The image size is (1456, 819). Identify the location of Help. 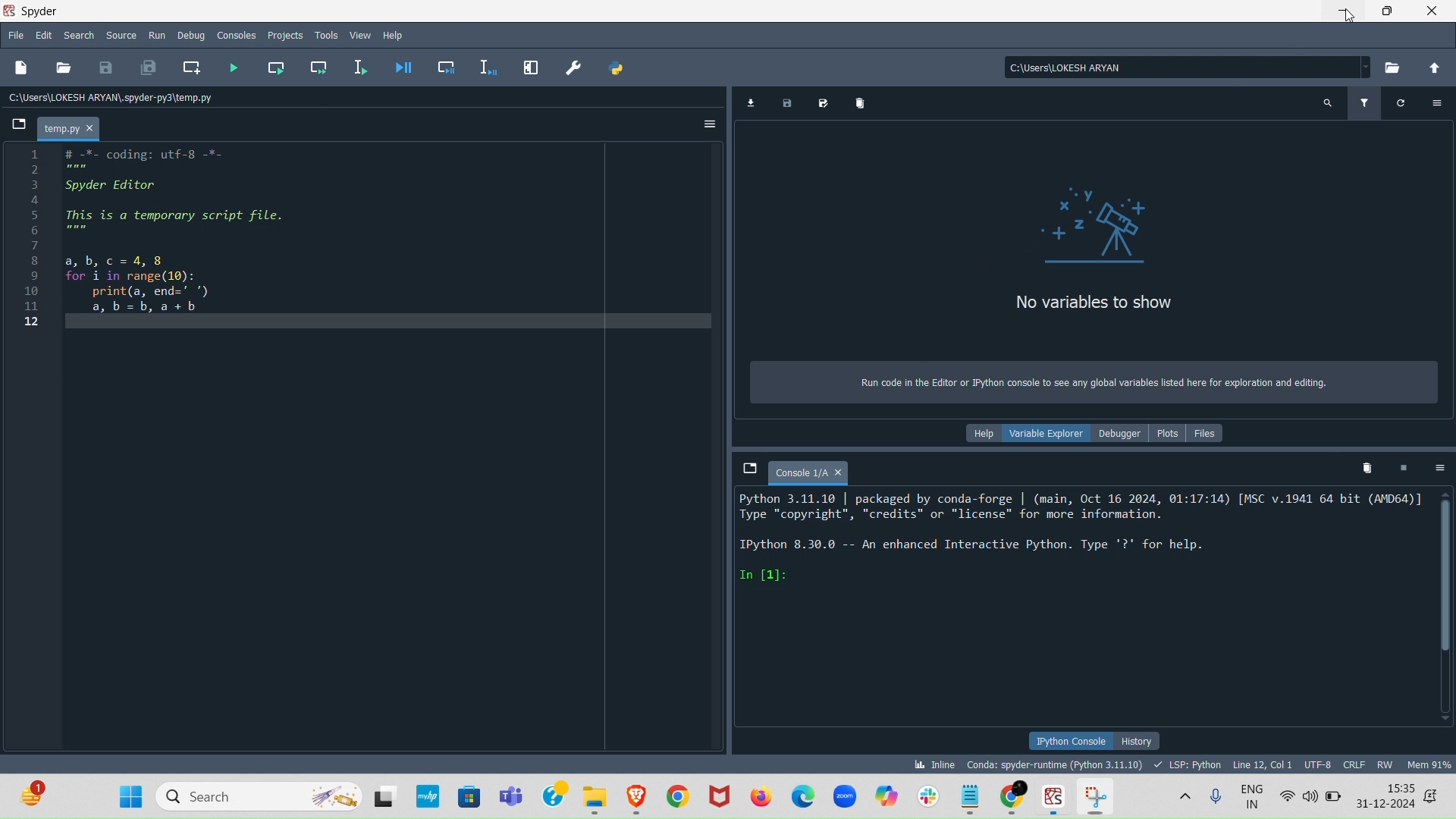
(396, 34).